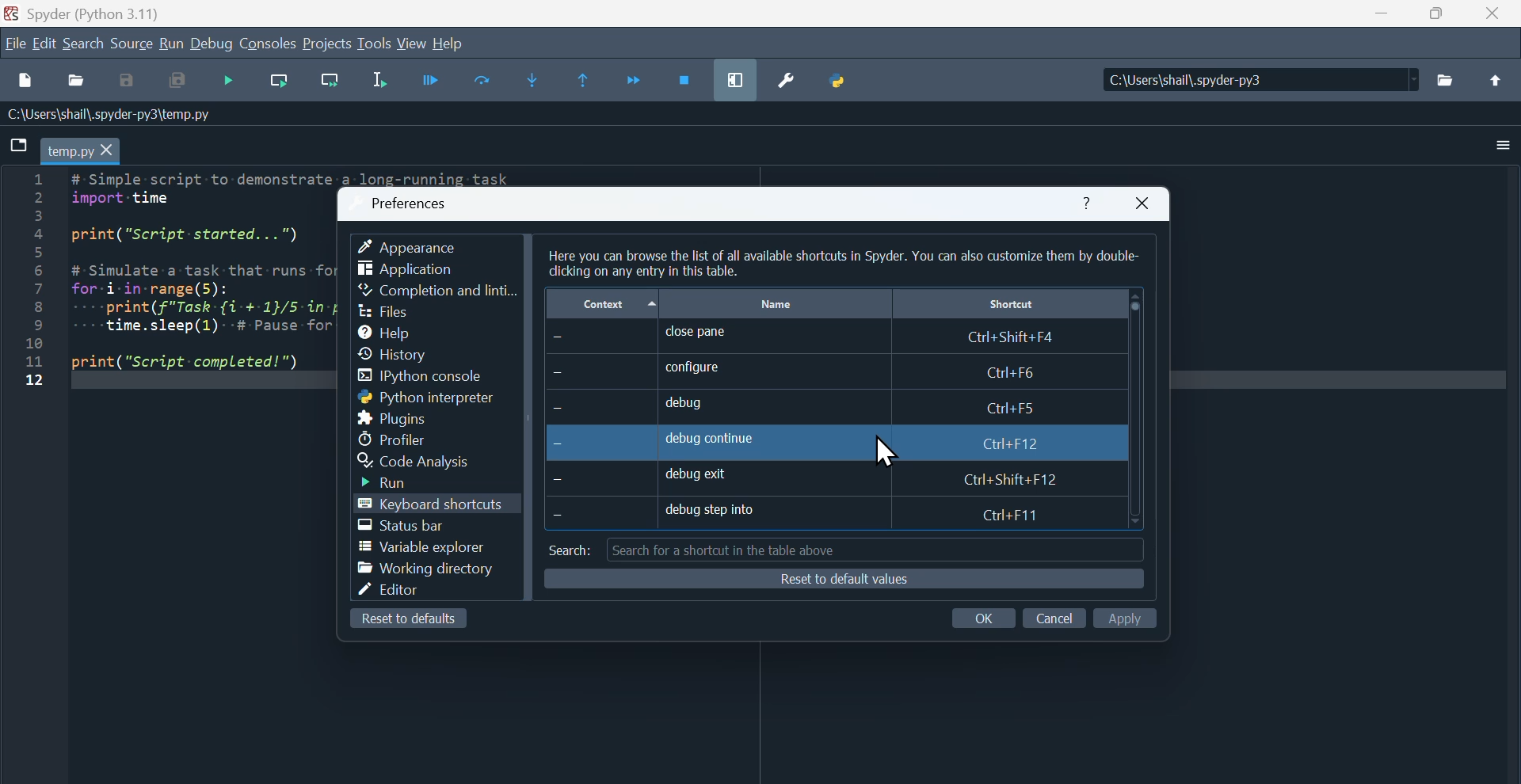 This screenshot has height=784, width=1521. I want to click on History, so click(406, 352).